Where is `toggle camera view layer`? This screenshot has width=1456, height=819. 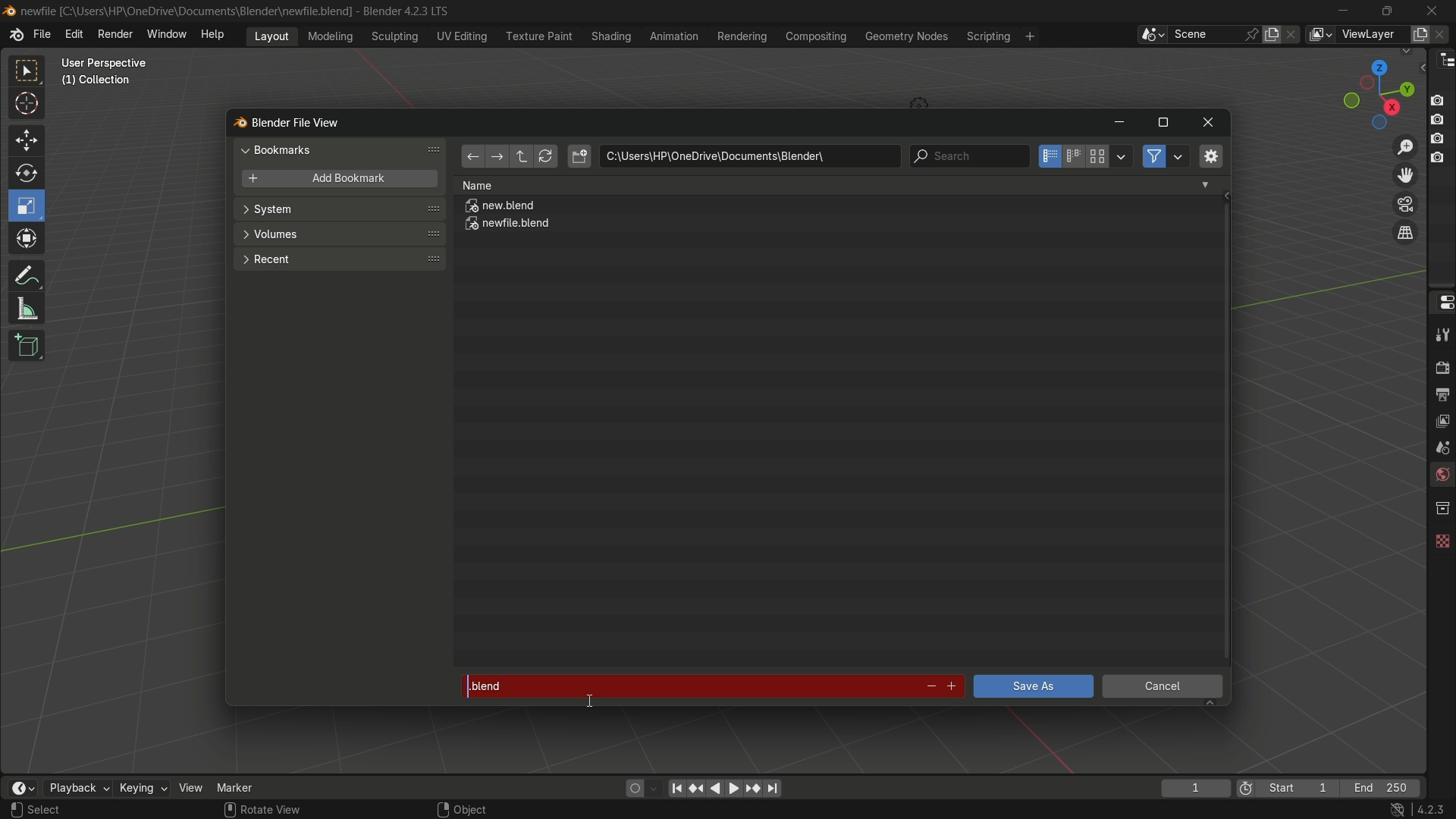 toggle camera view layer is located at coordinates (1405, 202).